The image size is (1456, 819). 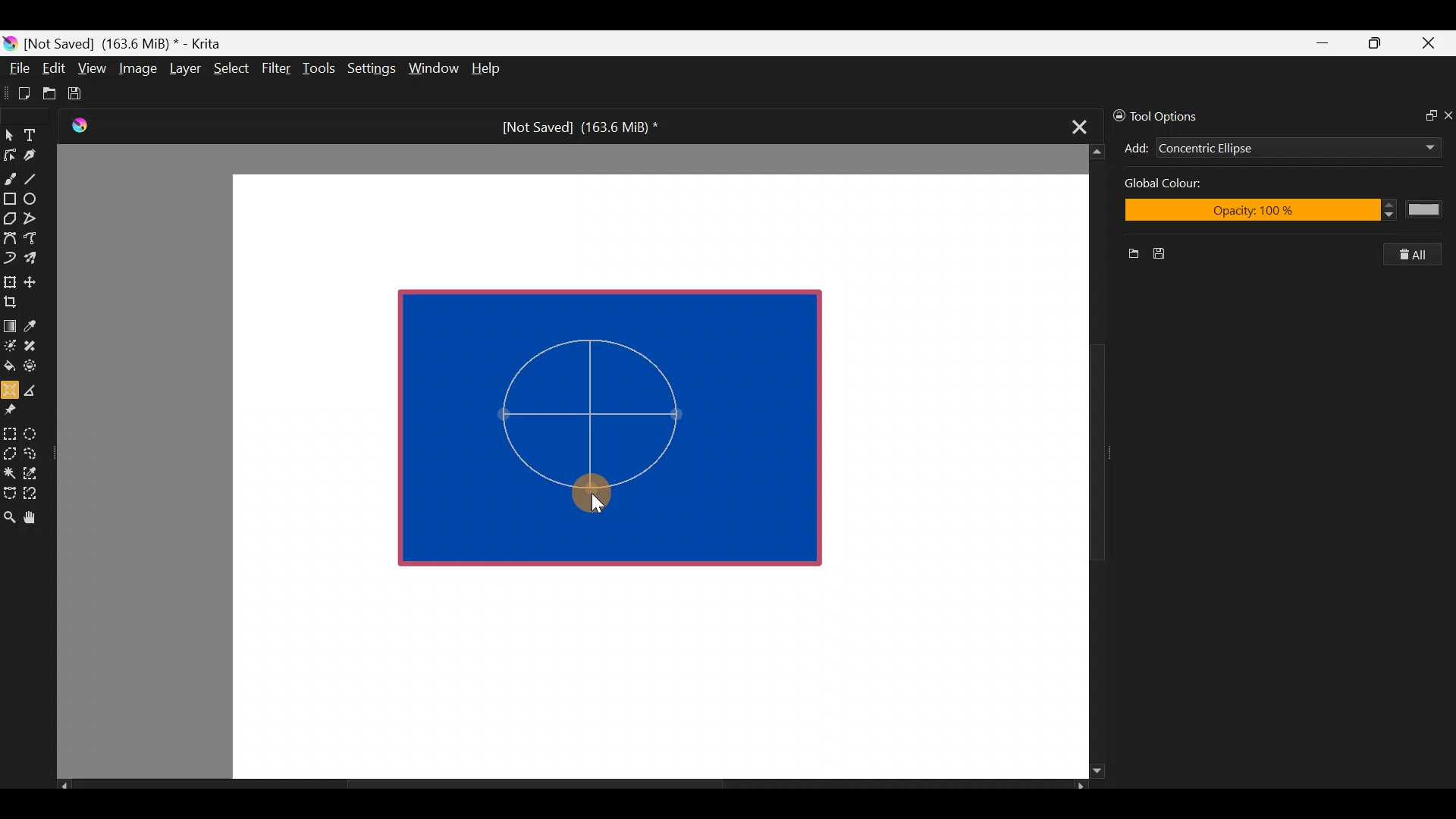 What do you see at coordinates (35, 494) in the screenshot?
I see `Magnetic curve selection tool` at bounding box center [35, 494].